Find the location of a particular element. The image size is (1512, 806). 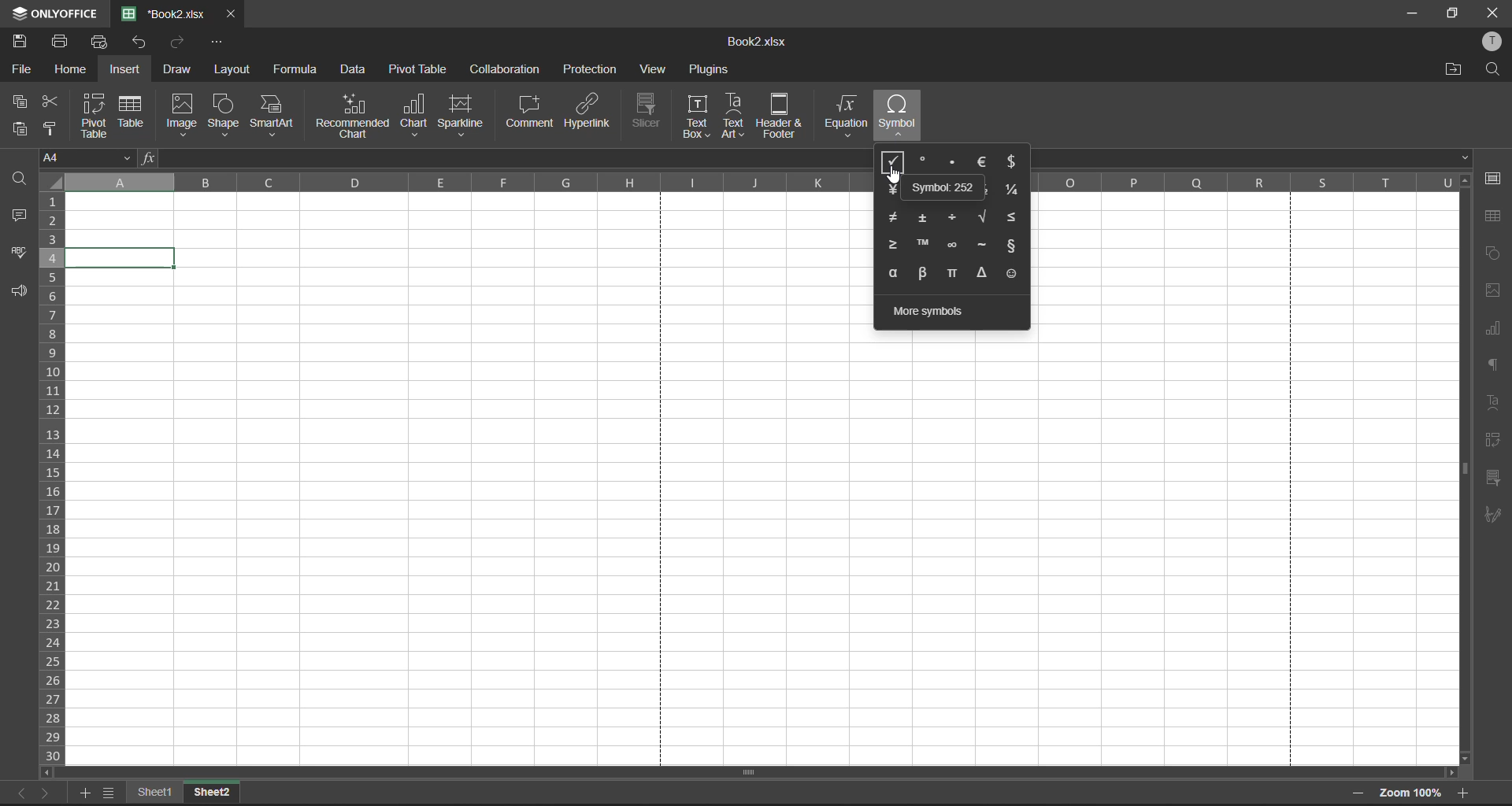

print is located at coordinates (60, 39).